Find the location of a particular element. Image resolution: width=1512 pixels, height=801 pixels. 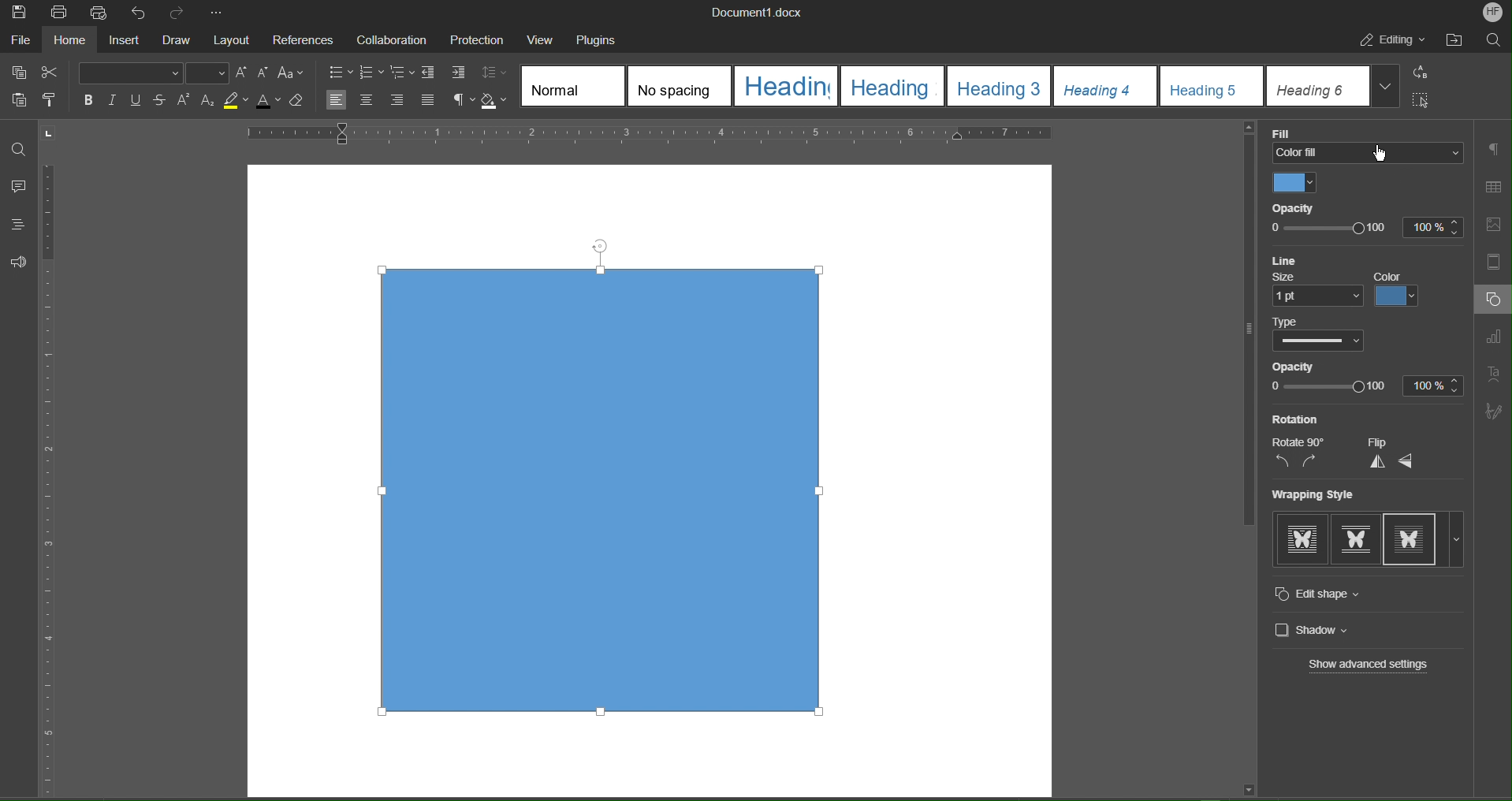

Vertical ruler is located at coordinates (60, 463).